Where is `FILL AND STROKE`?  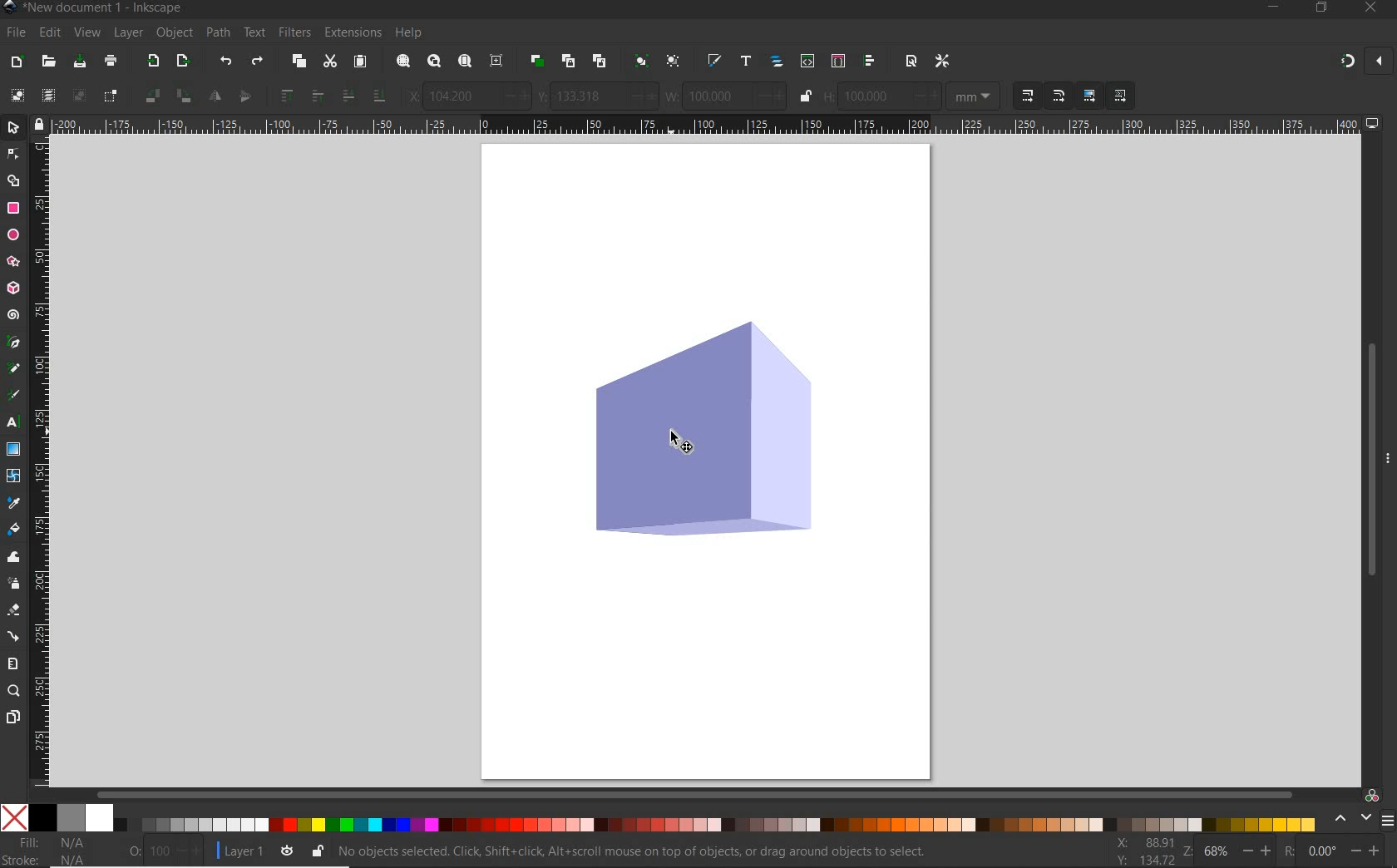
FILL AND STROKE is located at coordinates (49, 851).